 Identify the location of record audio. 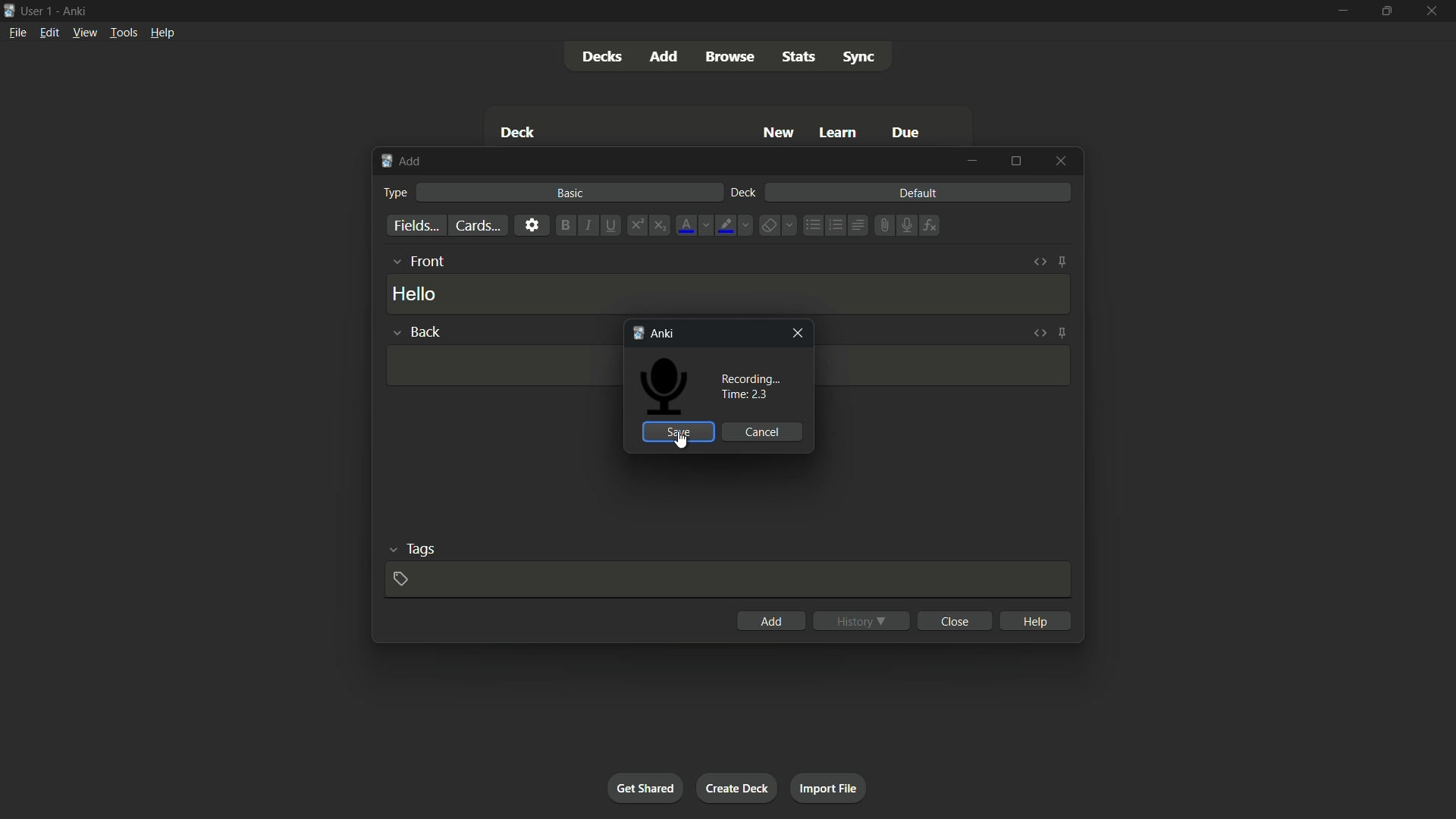
(905, 225).